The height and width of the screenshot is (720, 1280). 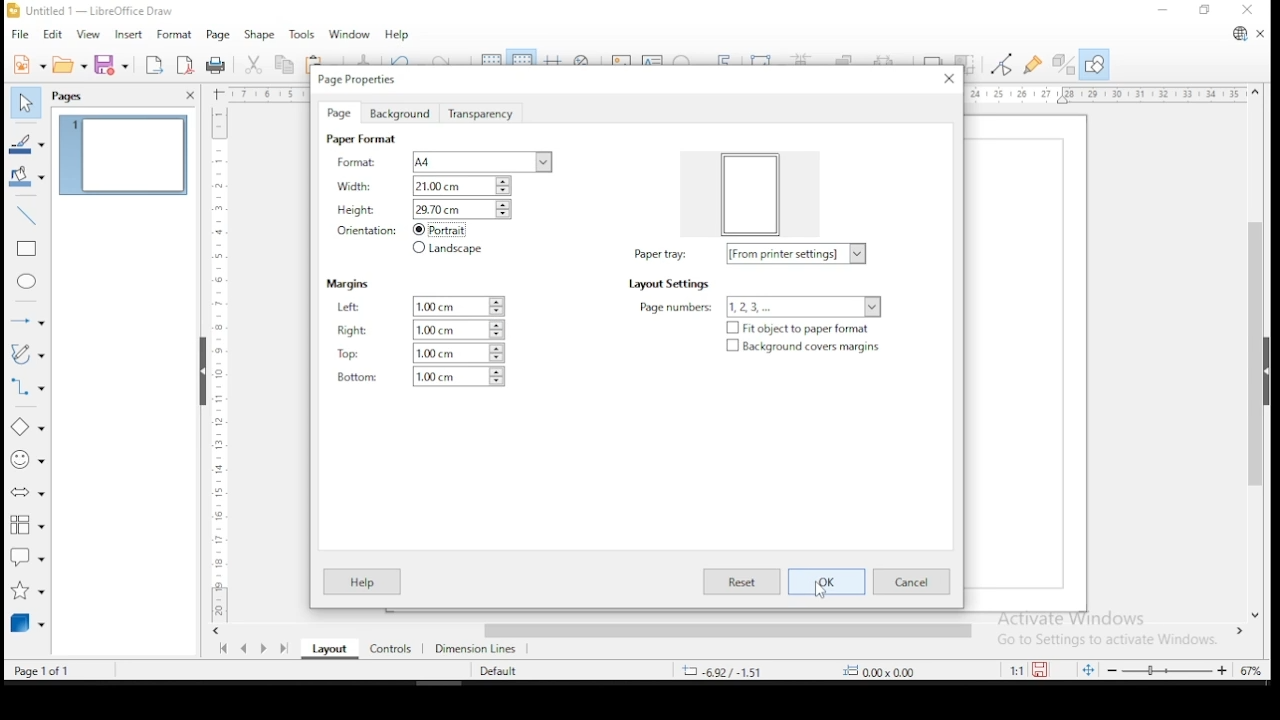 What do you see at coordinates (70, 96) in the screenshot?
I see `pages` at bounding box center [70, 96].